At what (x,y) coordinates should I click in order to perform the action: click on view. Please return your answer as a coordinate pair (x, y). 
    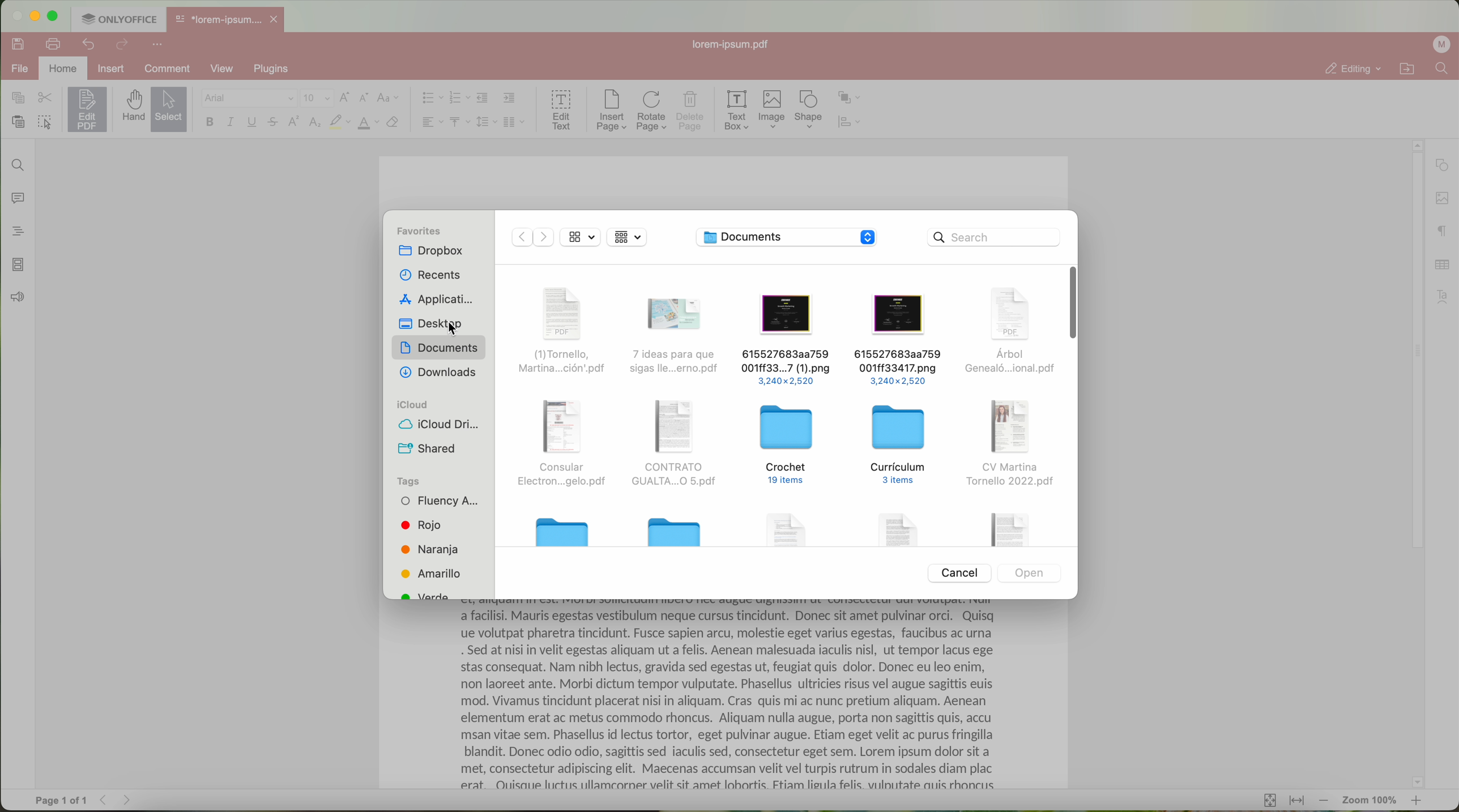
    Looking at the image, I should click on (226, 69).